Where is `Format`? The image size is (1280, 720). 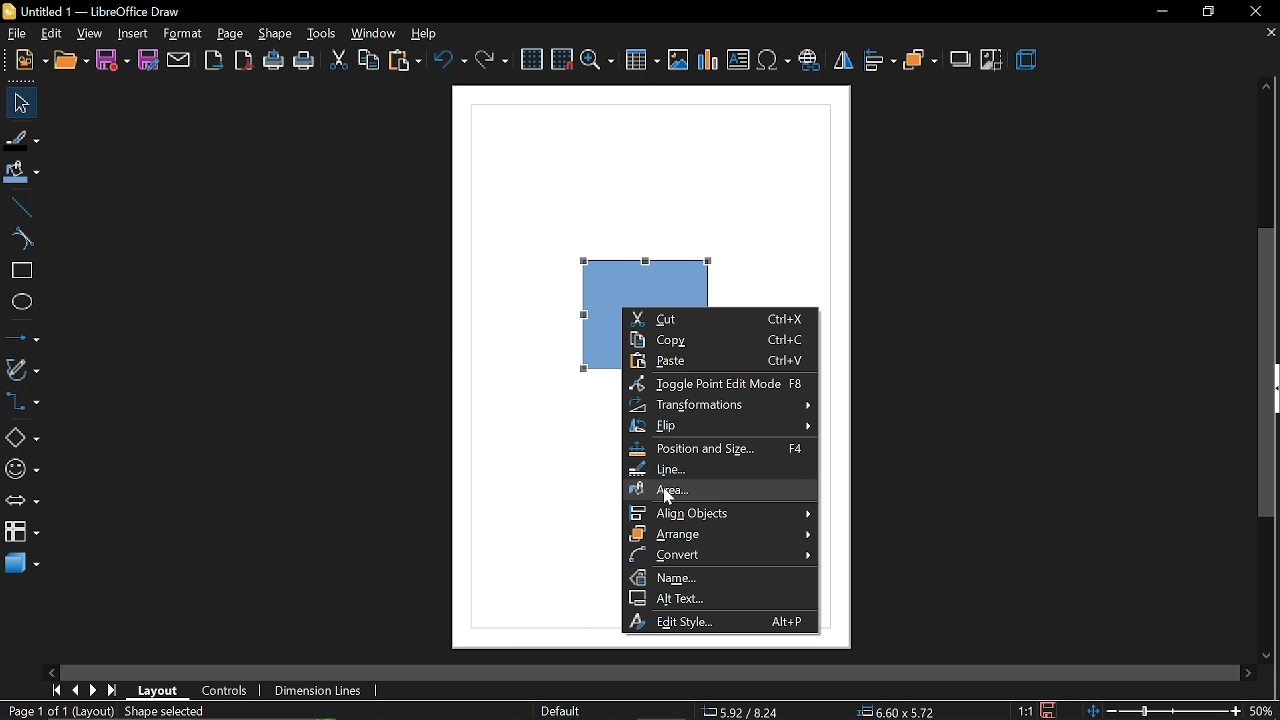
Format is located at coordinates (185, 34).